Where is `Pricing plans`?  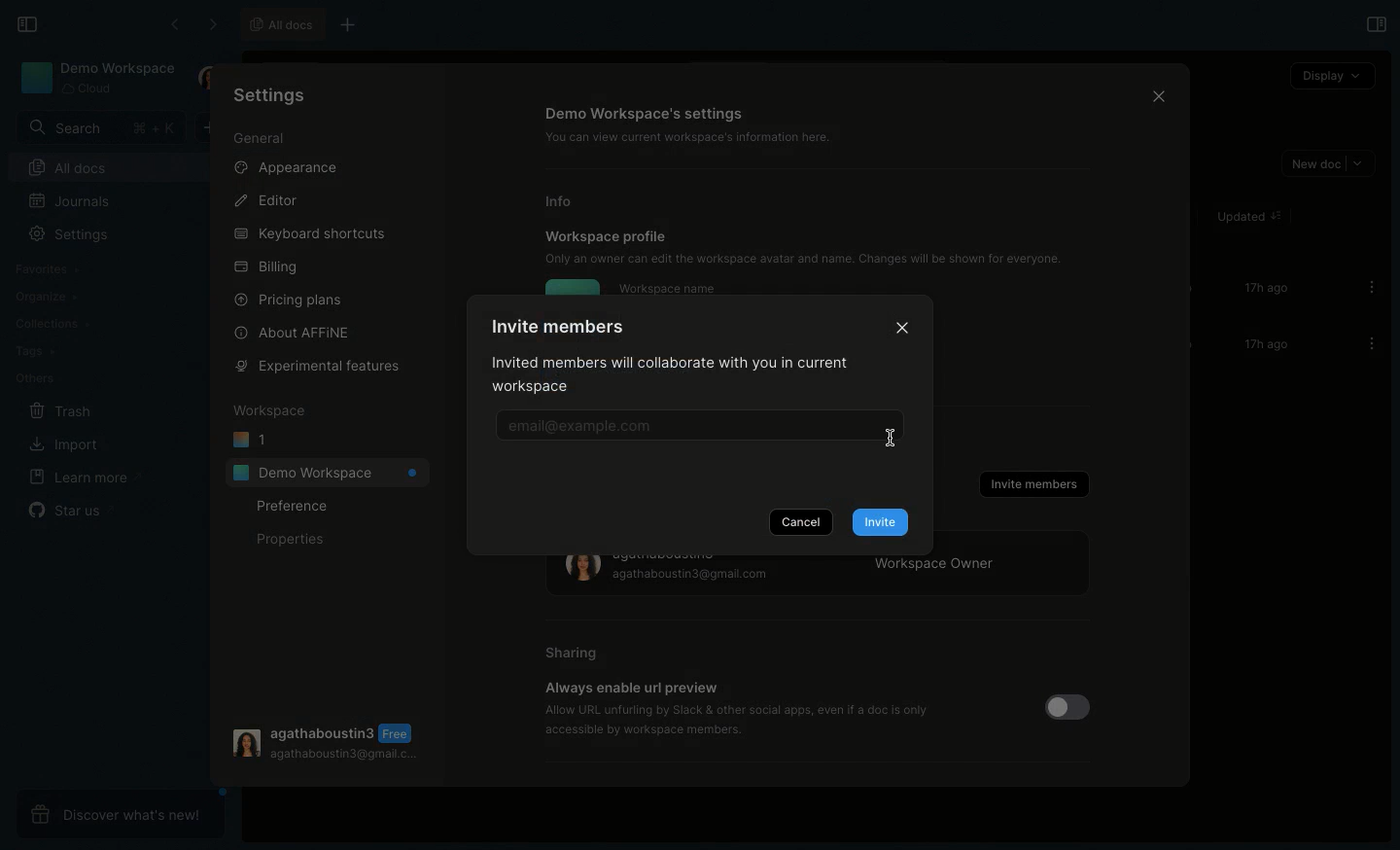
Pricing plans is located at coordinates (289, 300).